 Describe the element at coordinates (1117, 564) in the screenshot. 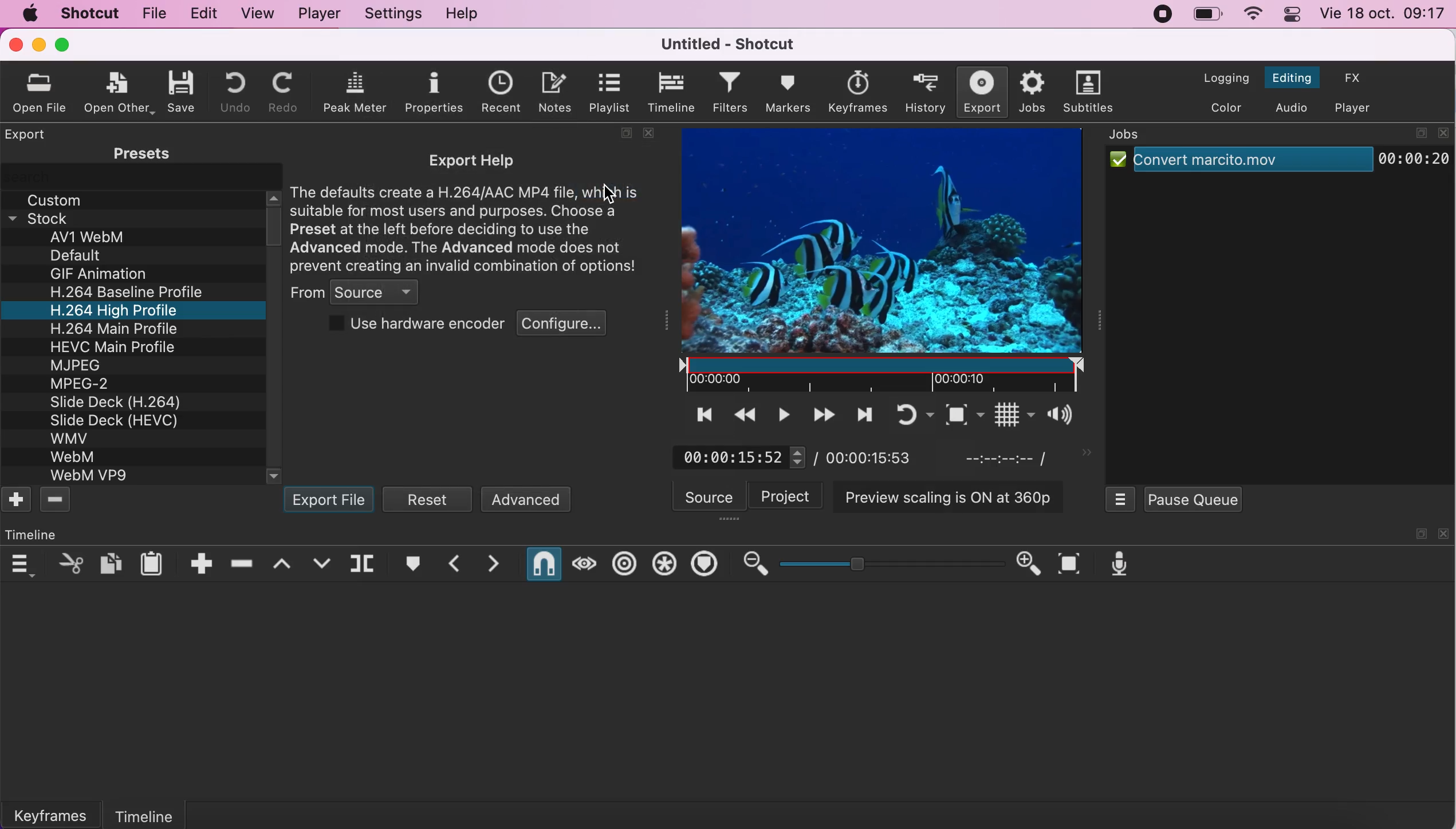

I see `record audio` at that location.